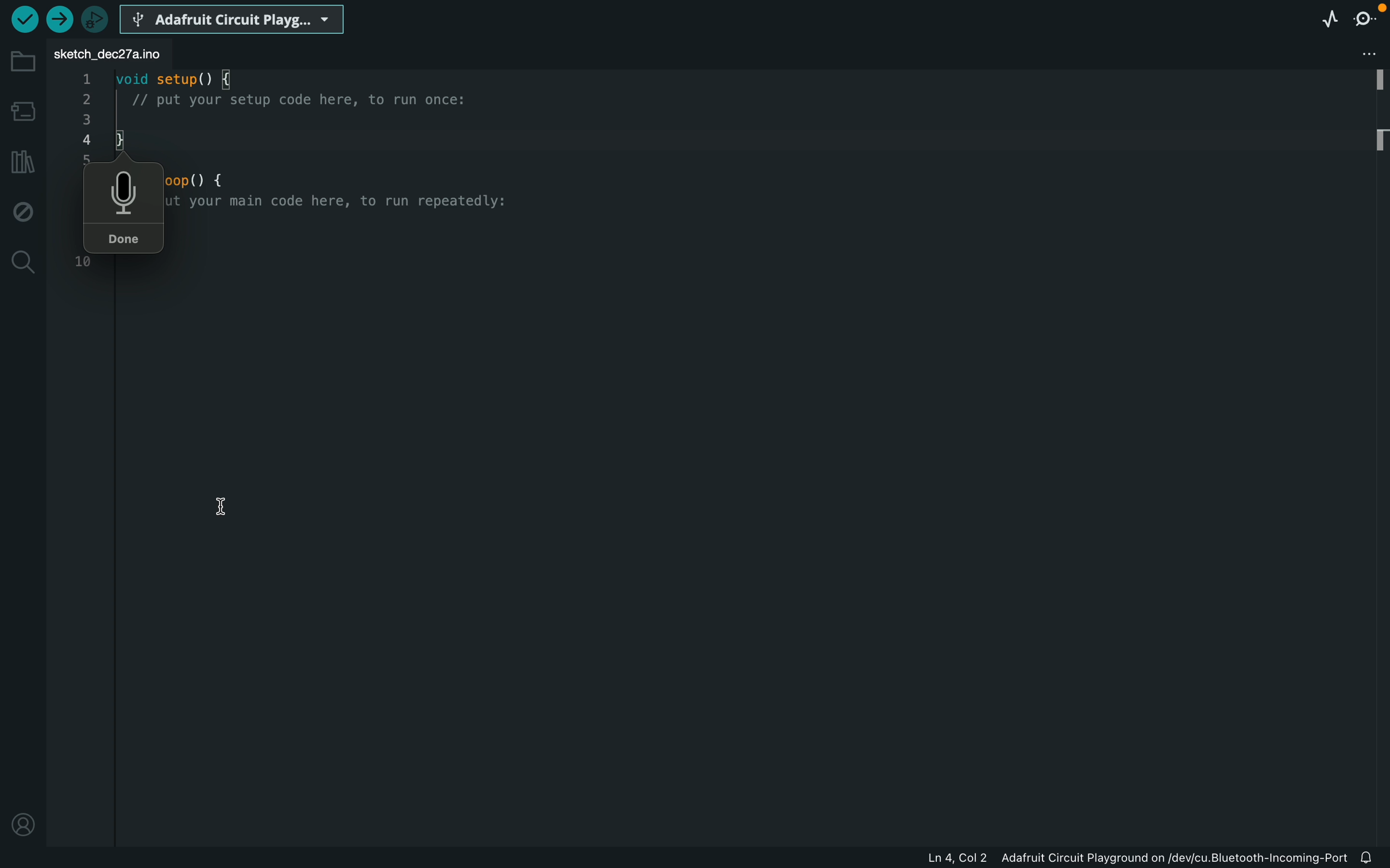 This screenshot has width=1390, height=868. I want to click on board manager, so click(22, 111).